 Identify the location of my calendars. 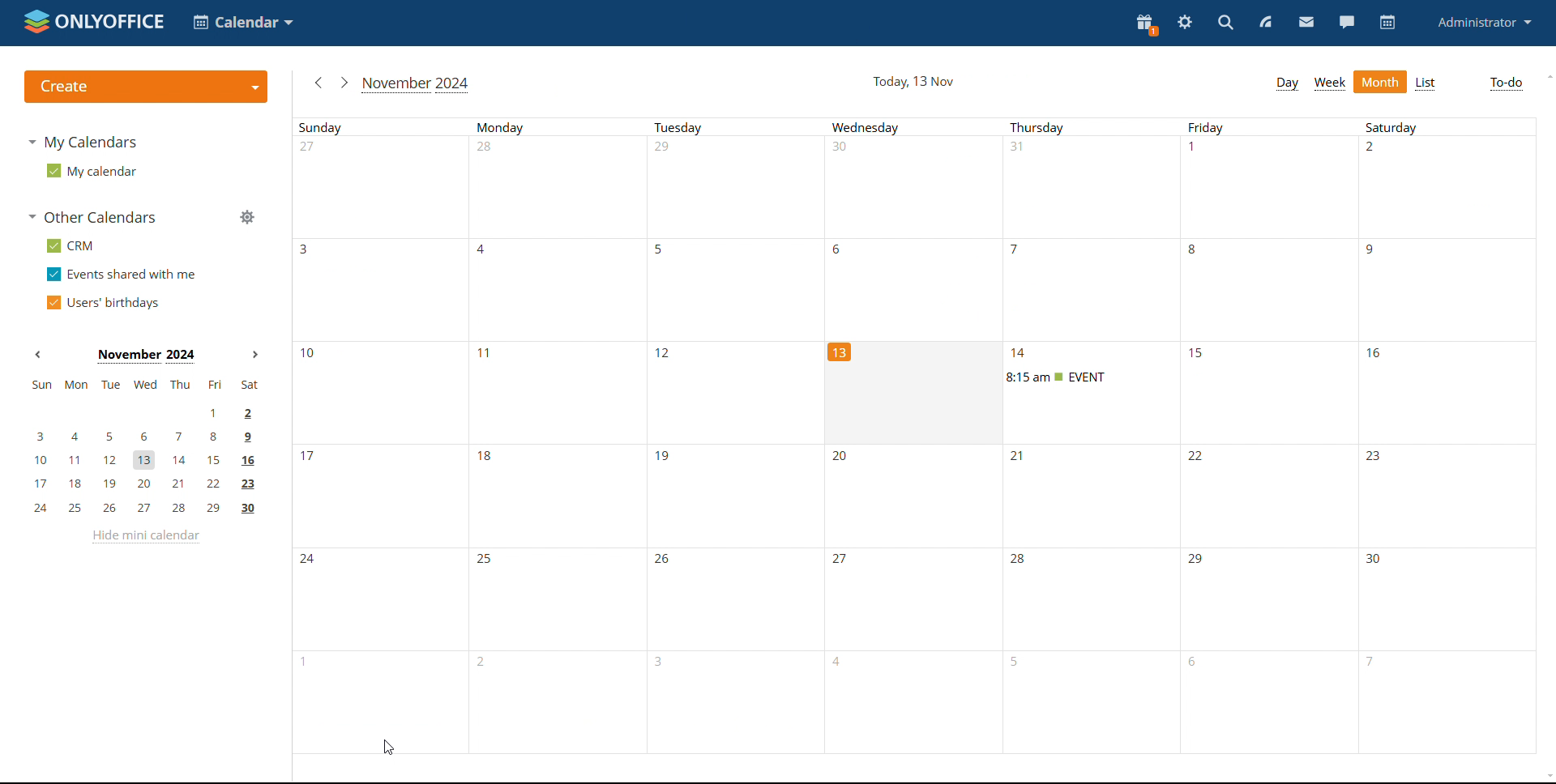
(85, 143).